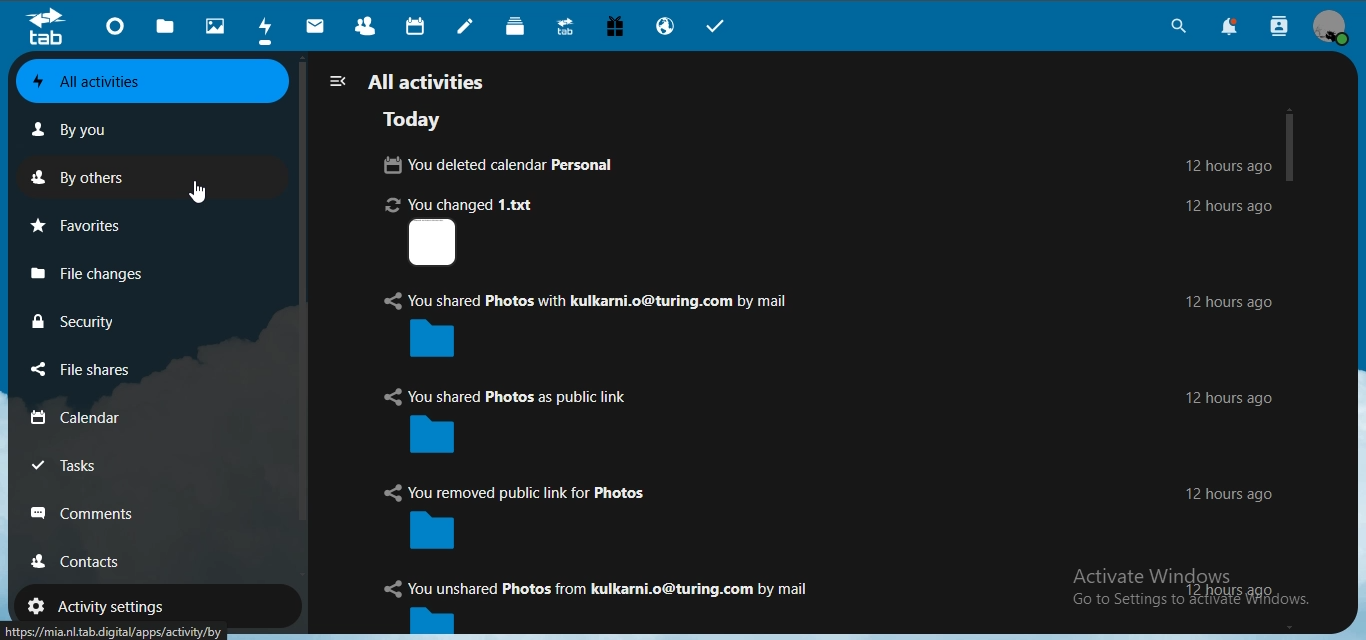 This screenshot has width=1366, height=640. What do you see at coordinates (102, 605) in the screenshot?
I see `activity settings` at bounding box center [102, 605].